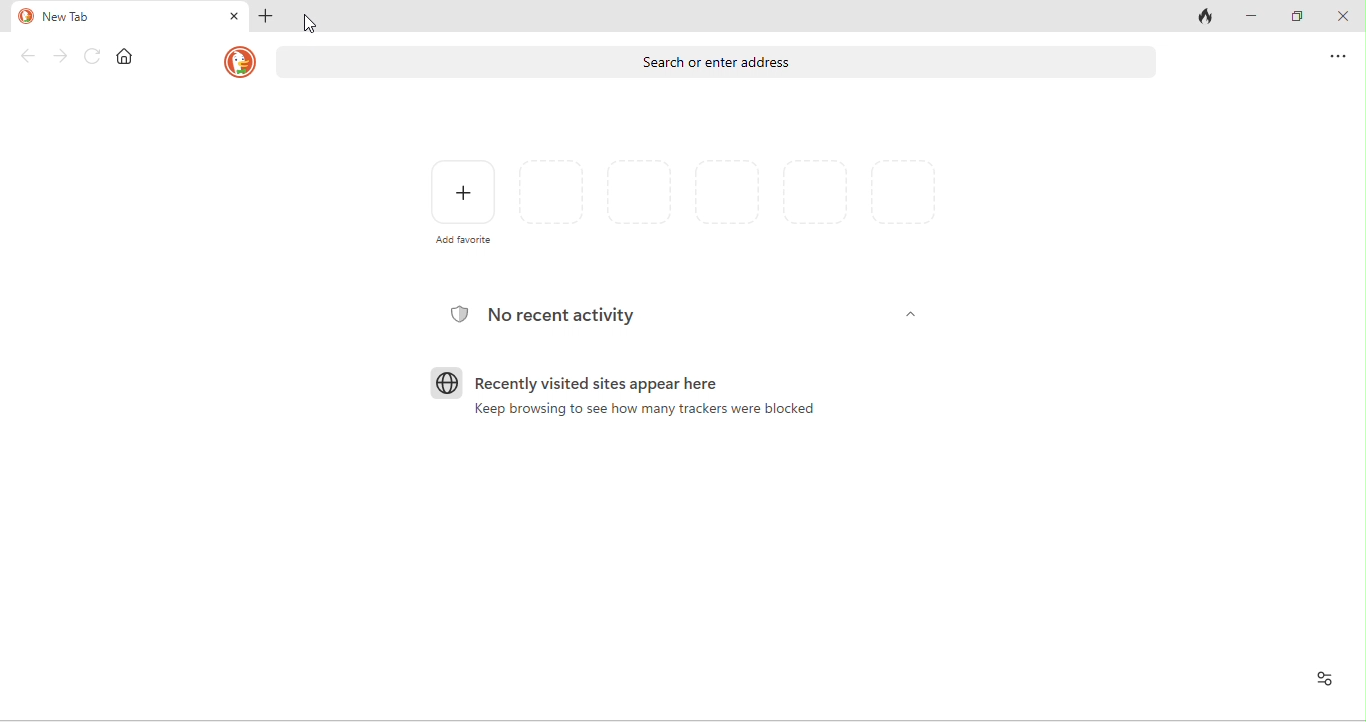 Image resolution: width=1366 pixels, height=722 pixels. What do you see at coordinates (1342, 17) in the screenshot?
I see `close` at bounding box center [1342, 17].